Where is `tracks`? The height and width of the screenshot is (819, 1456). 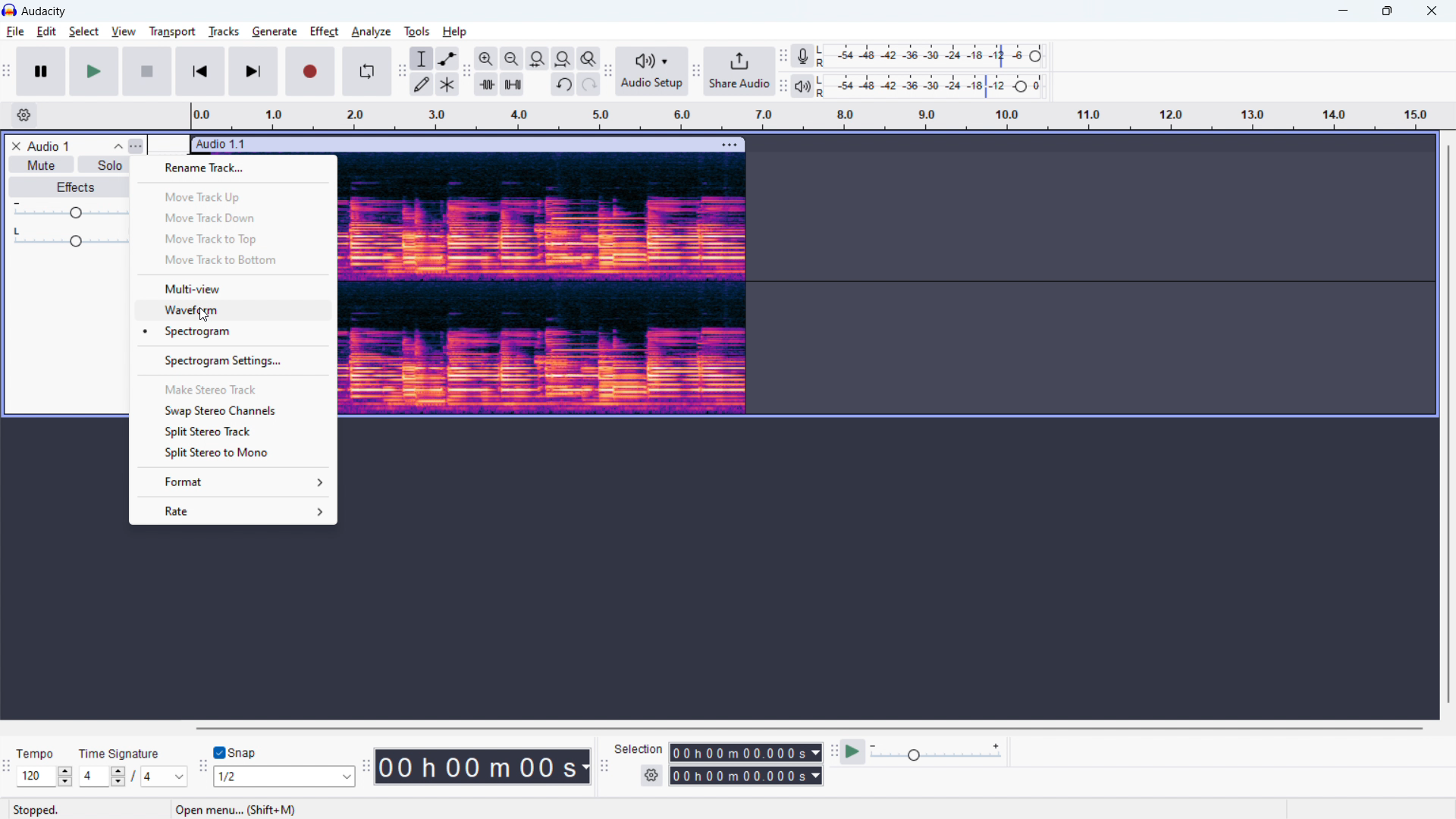
tracks is located at coordinates (222, 31).